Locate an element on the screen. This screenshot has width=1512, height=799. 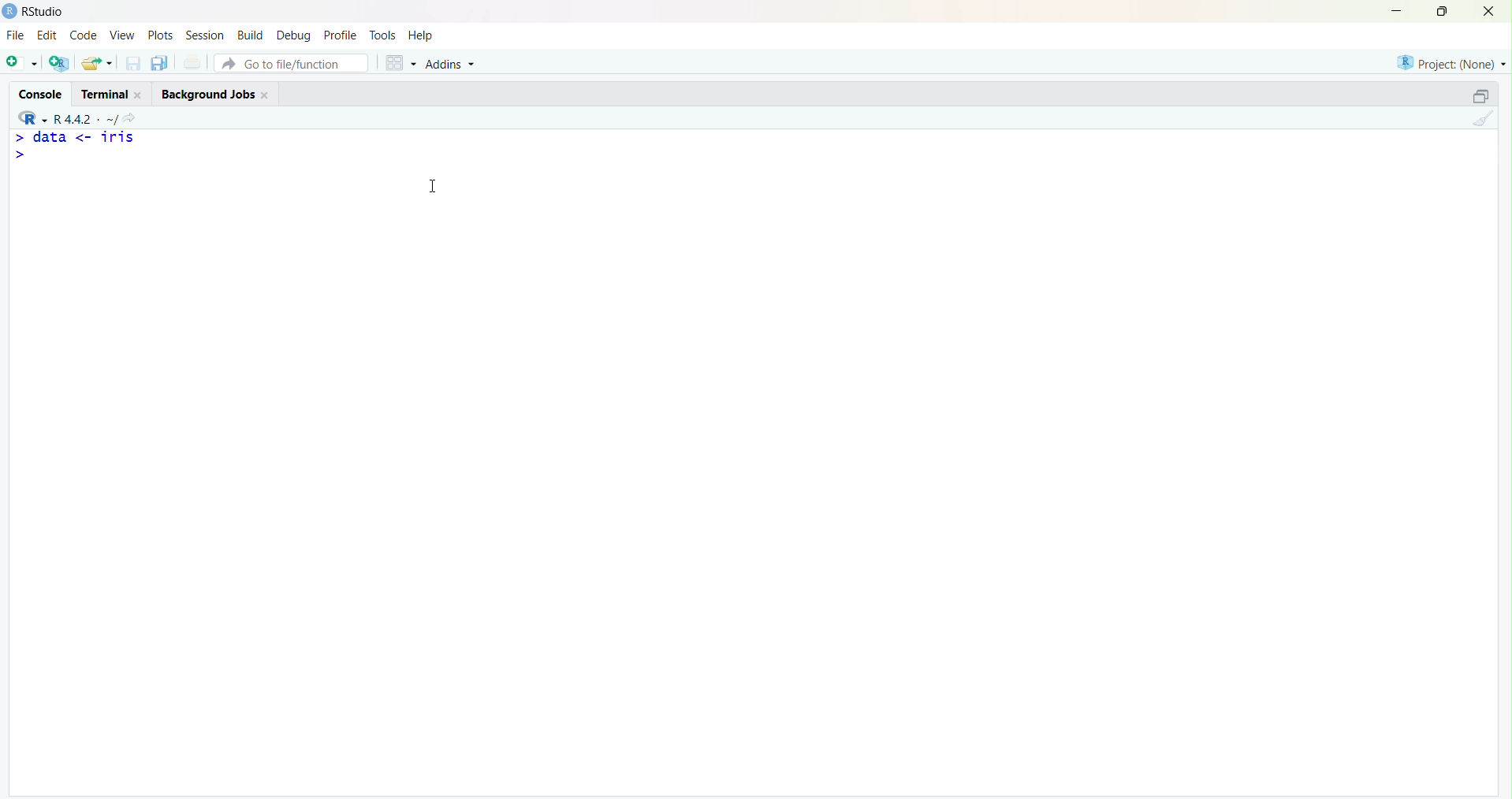
Clear console (Ctrl + L) is located at coordinates (1481, 120).